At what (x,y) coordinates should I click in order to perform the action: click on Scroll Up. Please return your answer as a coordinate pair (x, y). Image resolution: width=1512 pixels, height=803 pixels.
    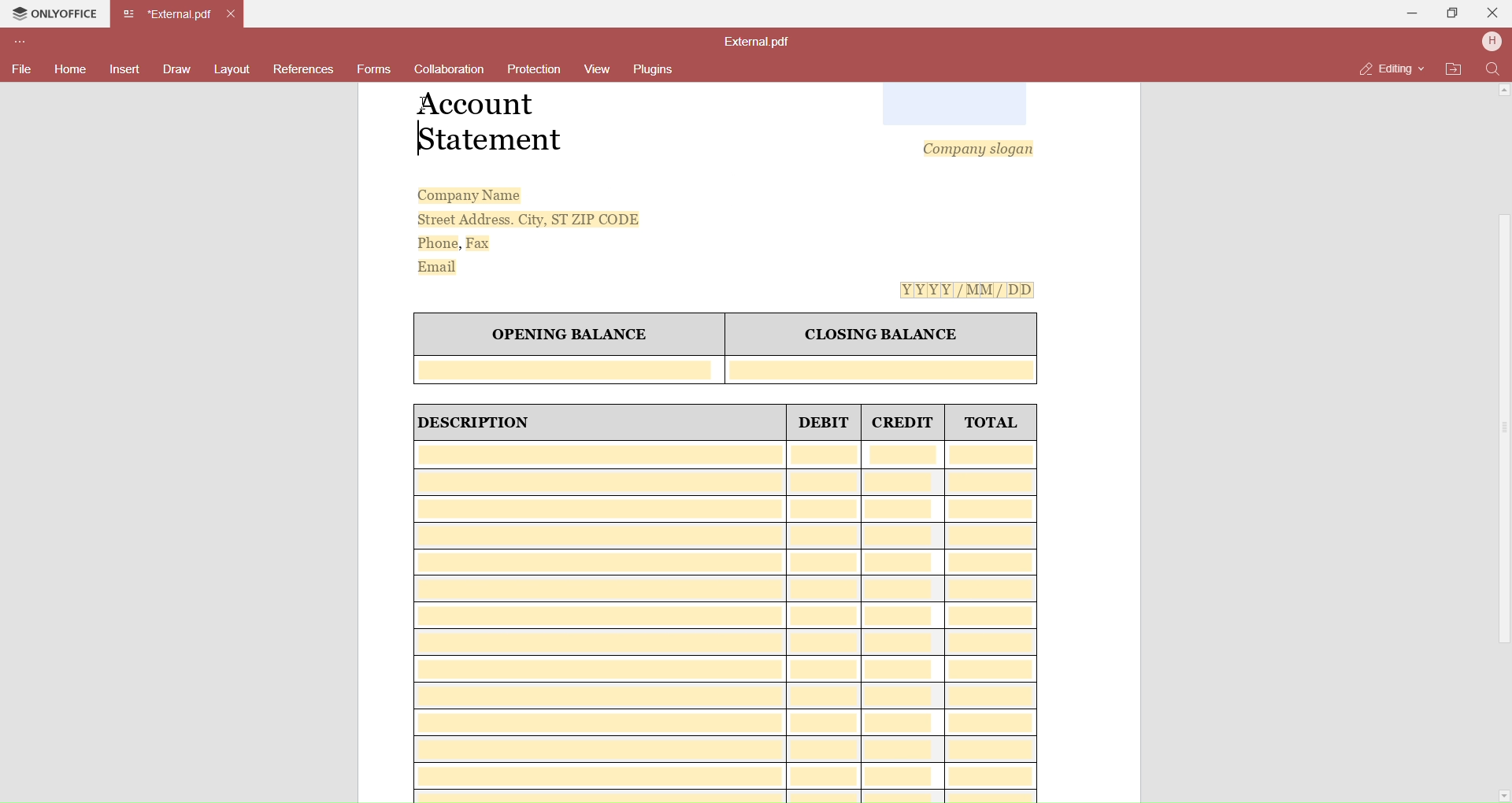
    Looking at the image, I should click on (1505, 91).